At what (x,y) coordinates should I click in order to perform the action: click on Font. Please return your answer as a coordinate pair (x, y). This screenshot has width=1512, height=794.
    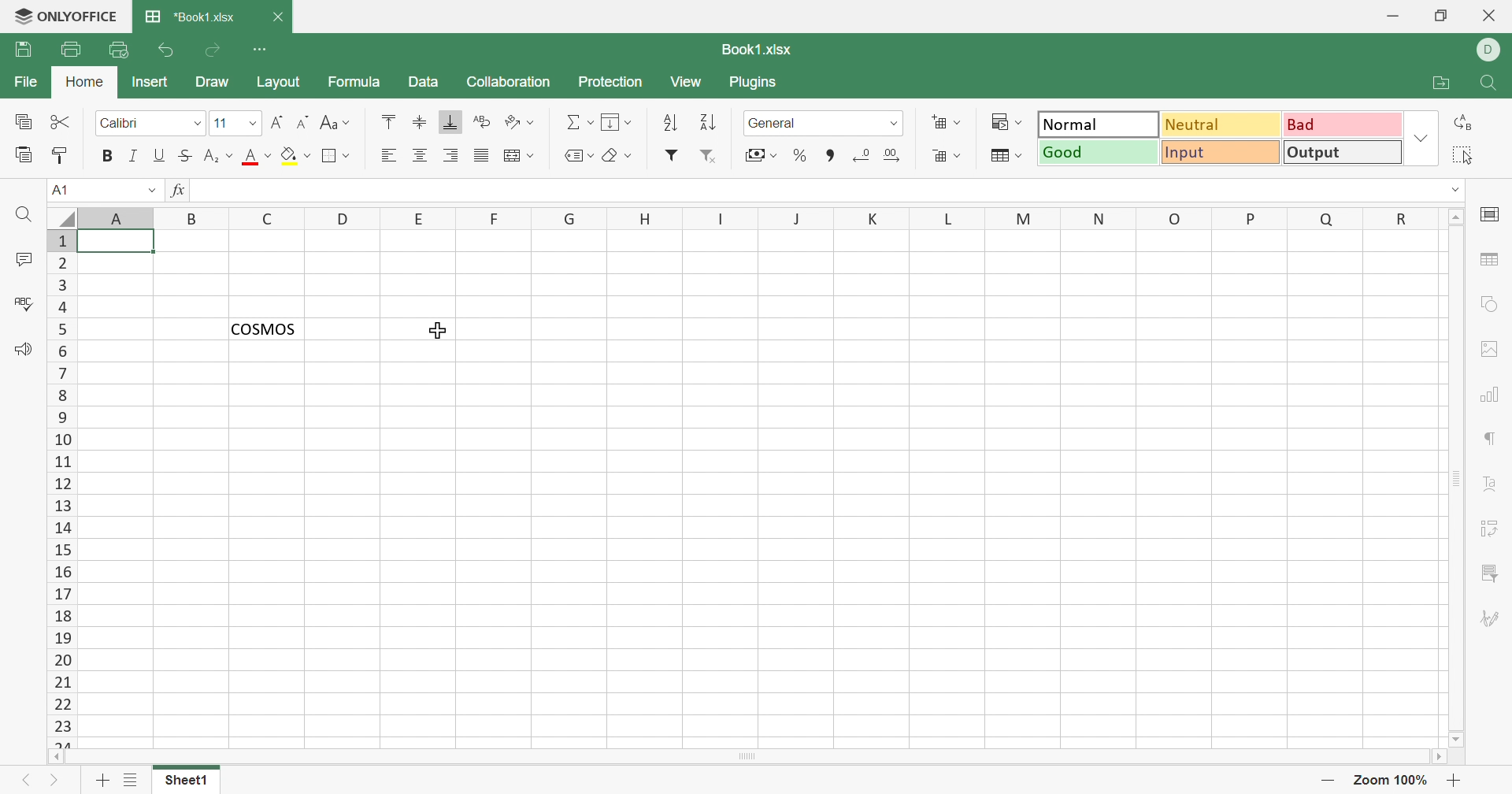
    Looking at the image, I should click on (138, 124).